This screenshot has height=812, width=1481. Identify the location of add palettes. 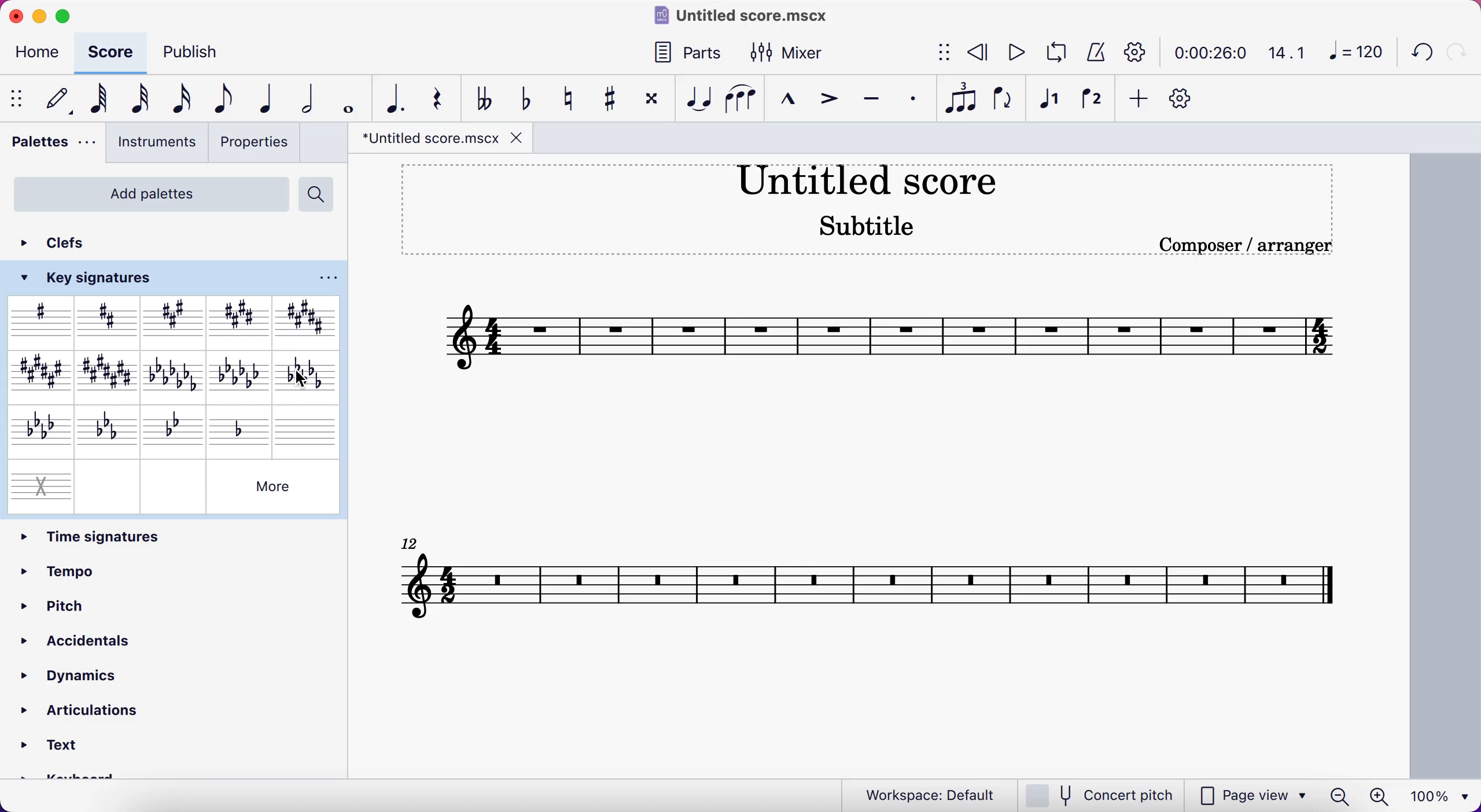
(148, 193).